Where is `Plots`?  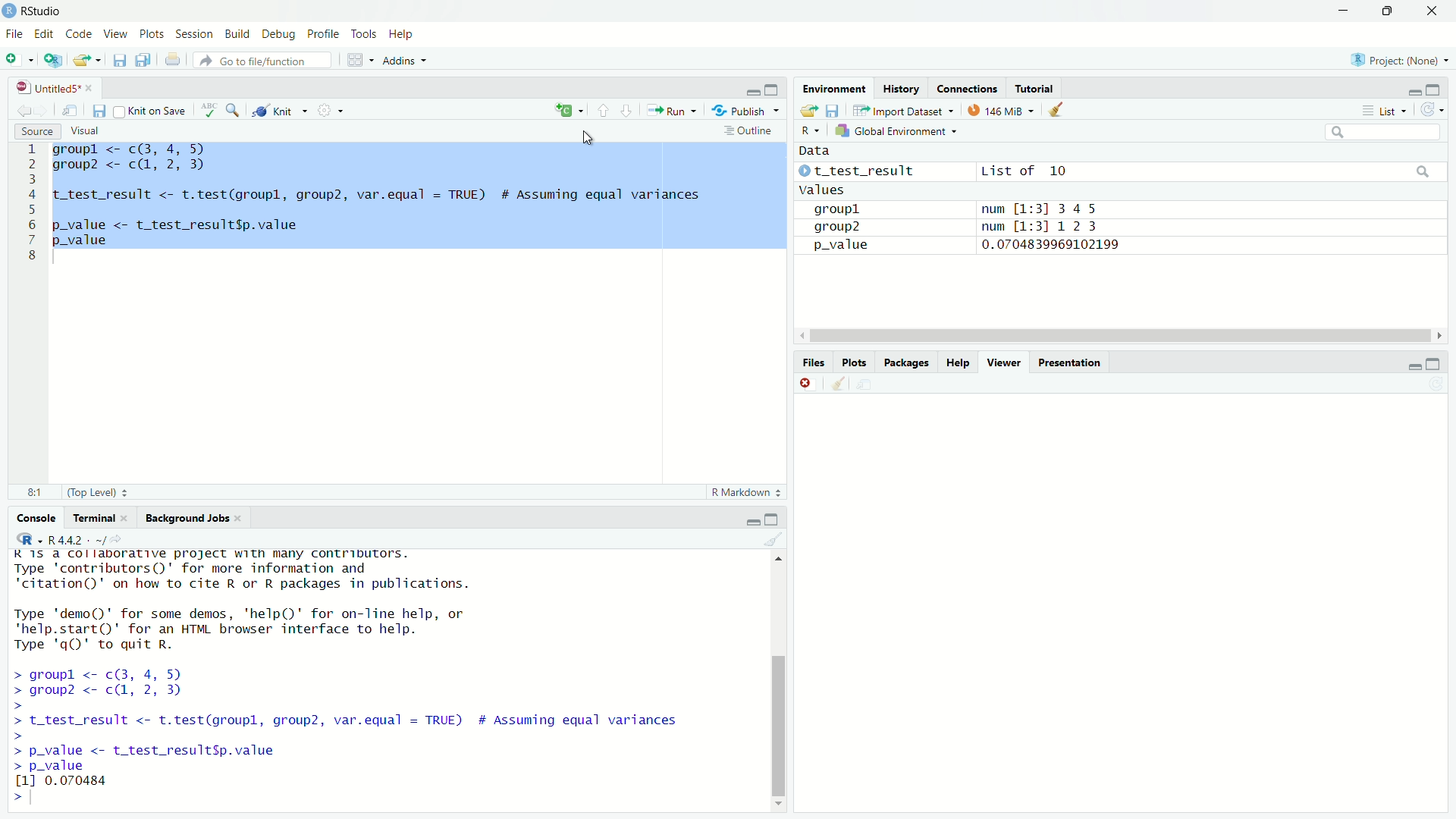 Plots is located at coordinates (855, 362).